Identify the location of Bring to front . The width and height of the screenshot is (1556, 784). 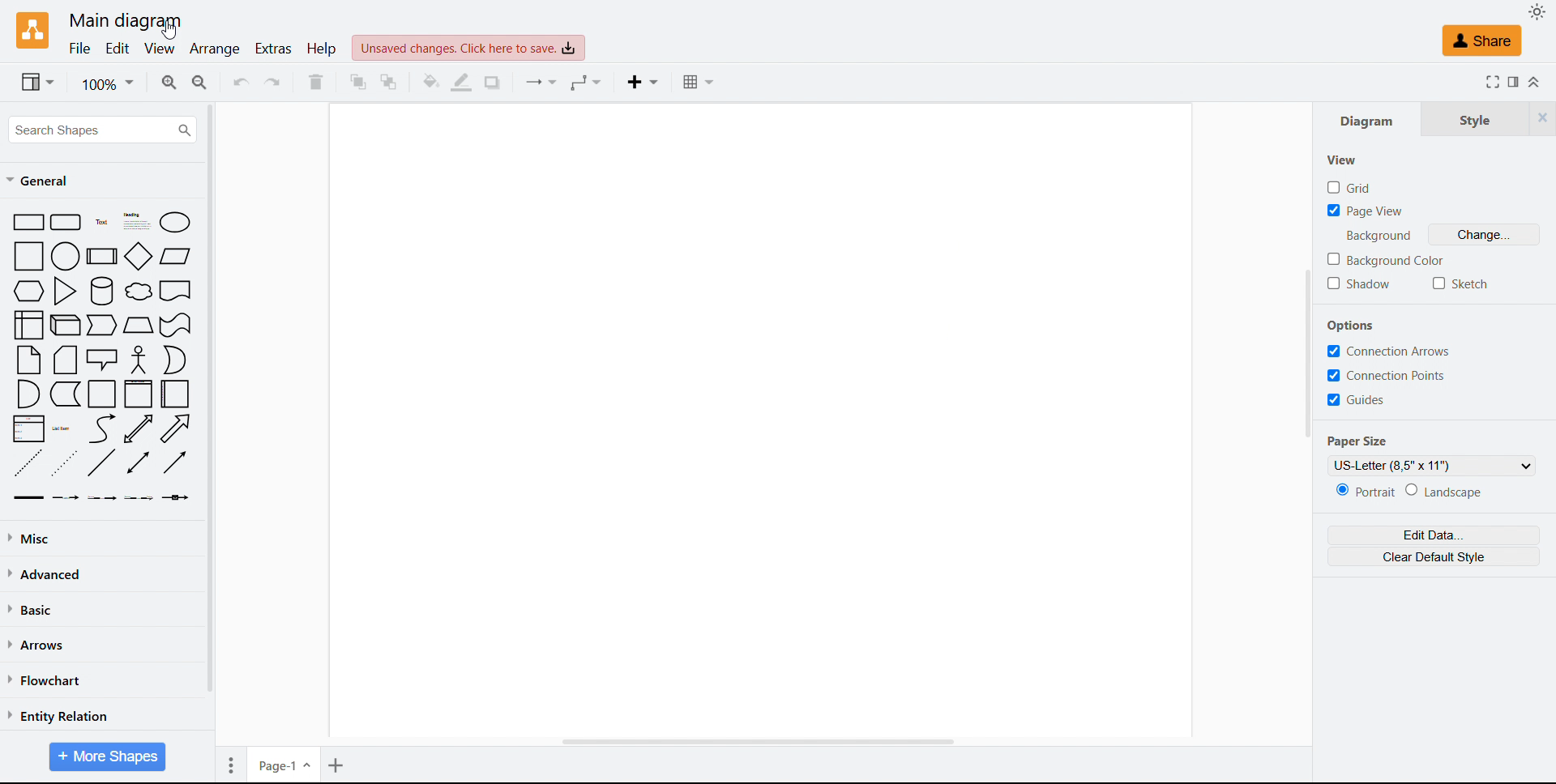
(357, 82).